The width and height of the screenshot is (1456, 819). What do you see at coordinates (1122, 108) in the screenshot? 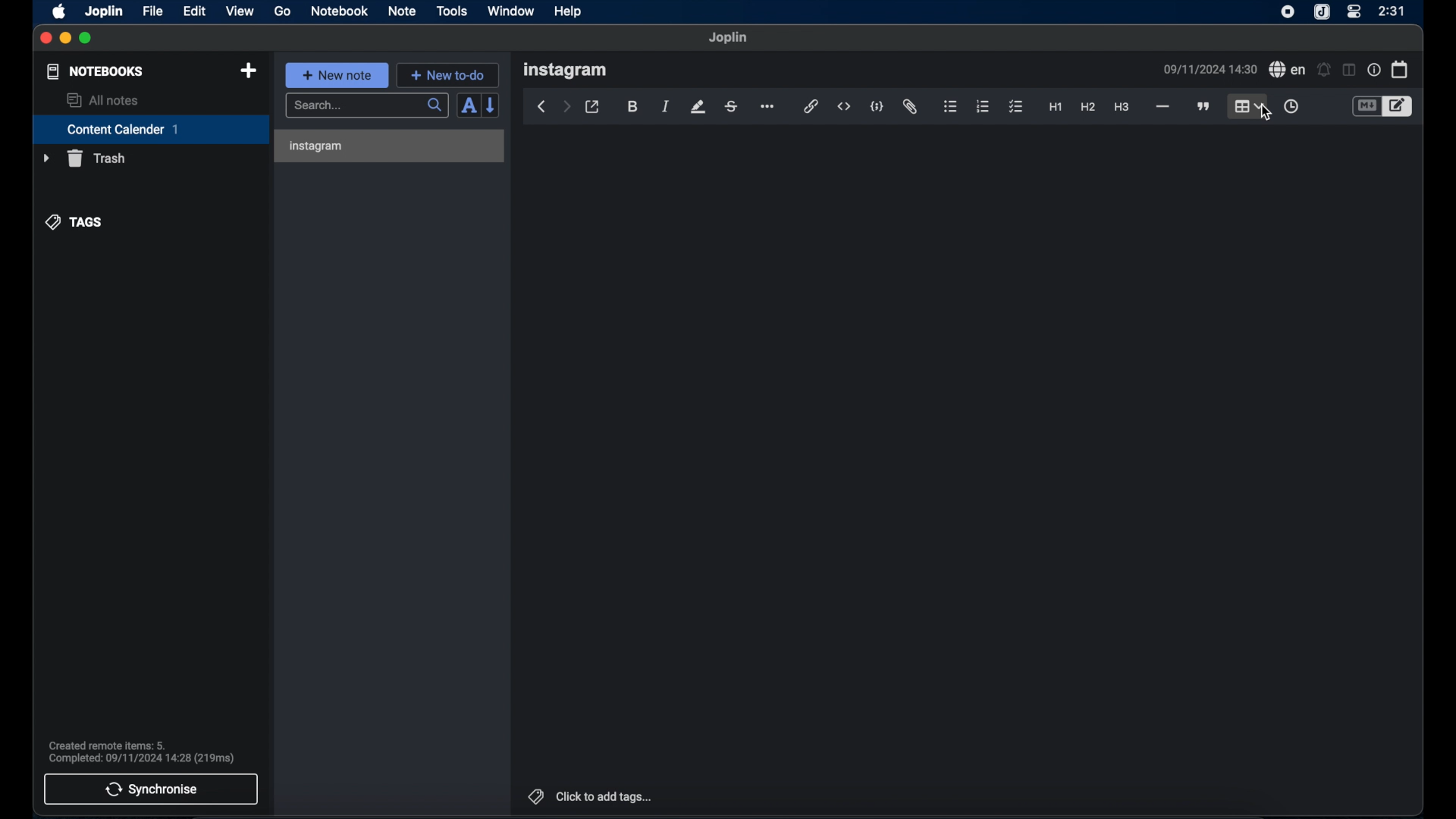
I see `heading 3` at bounding box center [1122, 108].